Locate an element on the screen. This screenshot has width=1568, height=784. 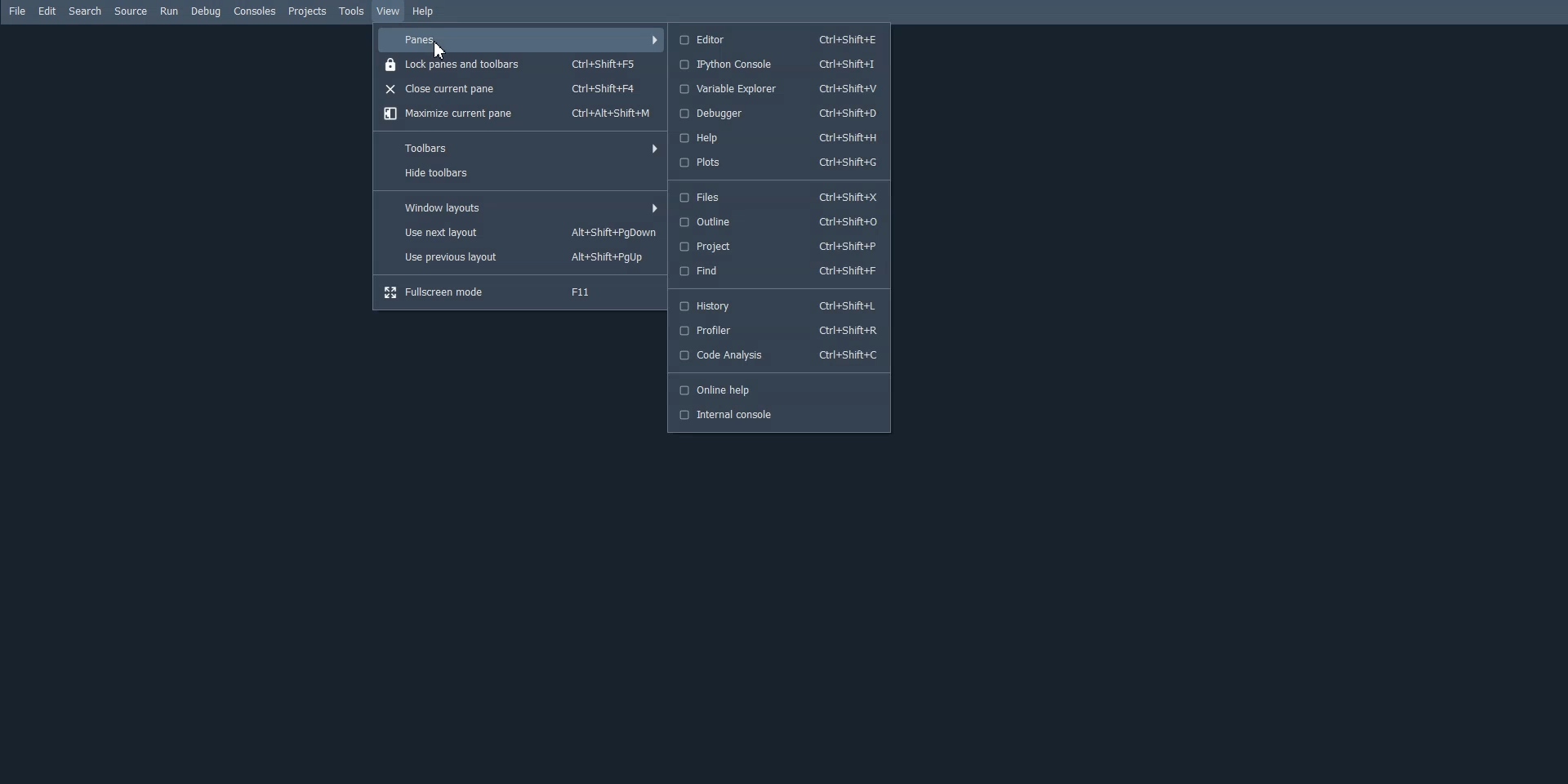
Project is located at coordinates (776, 247).